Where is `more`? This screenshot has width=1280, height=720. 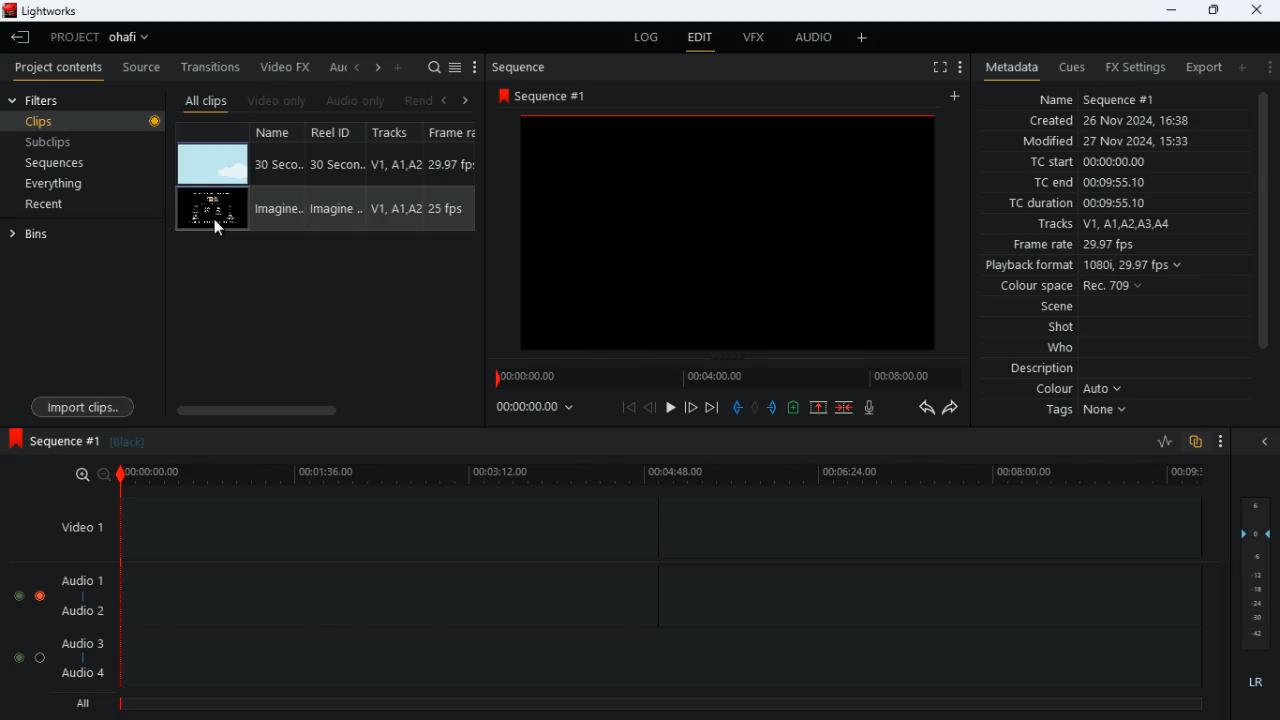
more is located at coordinates (1270, 67).